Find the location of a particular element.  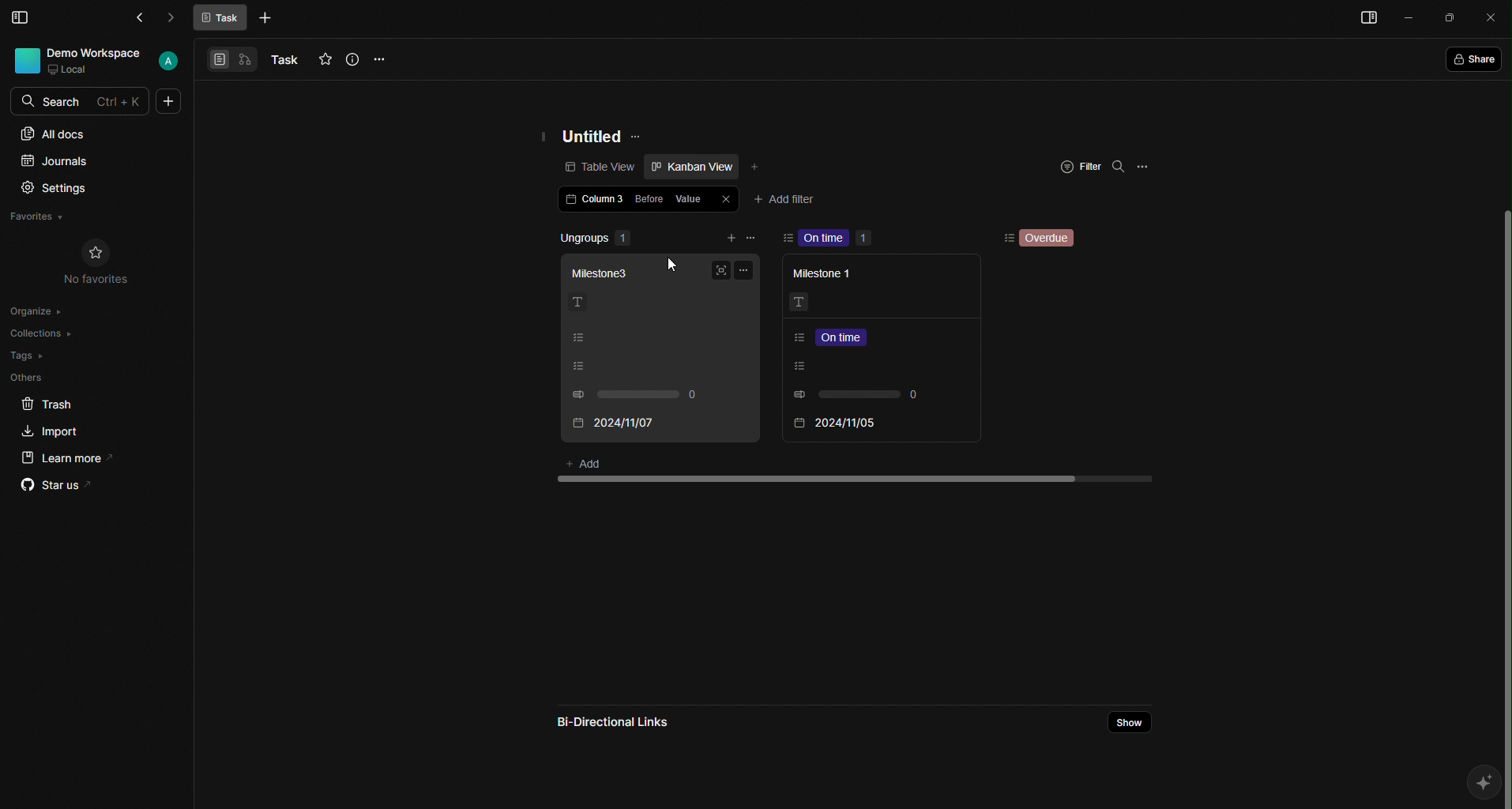

Value is located at coordinates (689, 196).